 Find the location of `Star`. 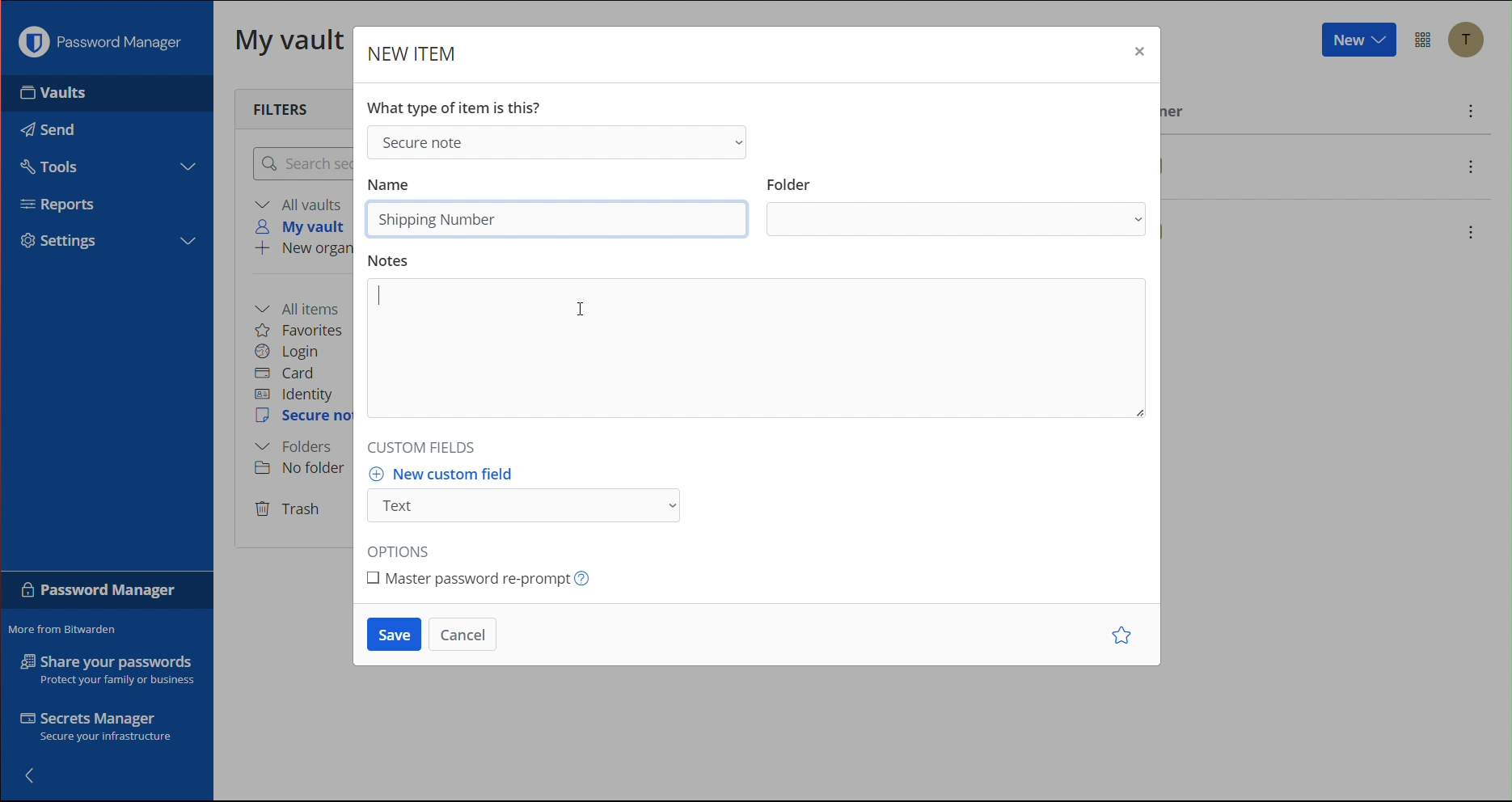

Star is located at coordinates (1118, 635).